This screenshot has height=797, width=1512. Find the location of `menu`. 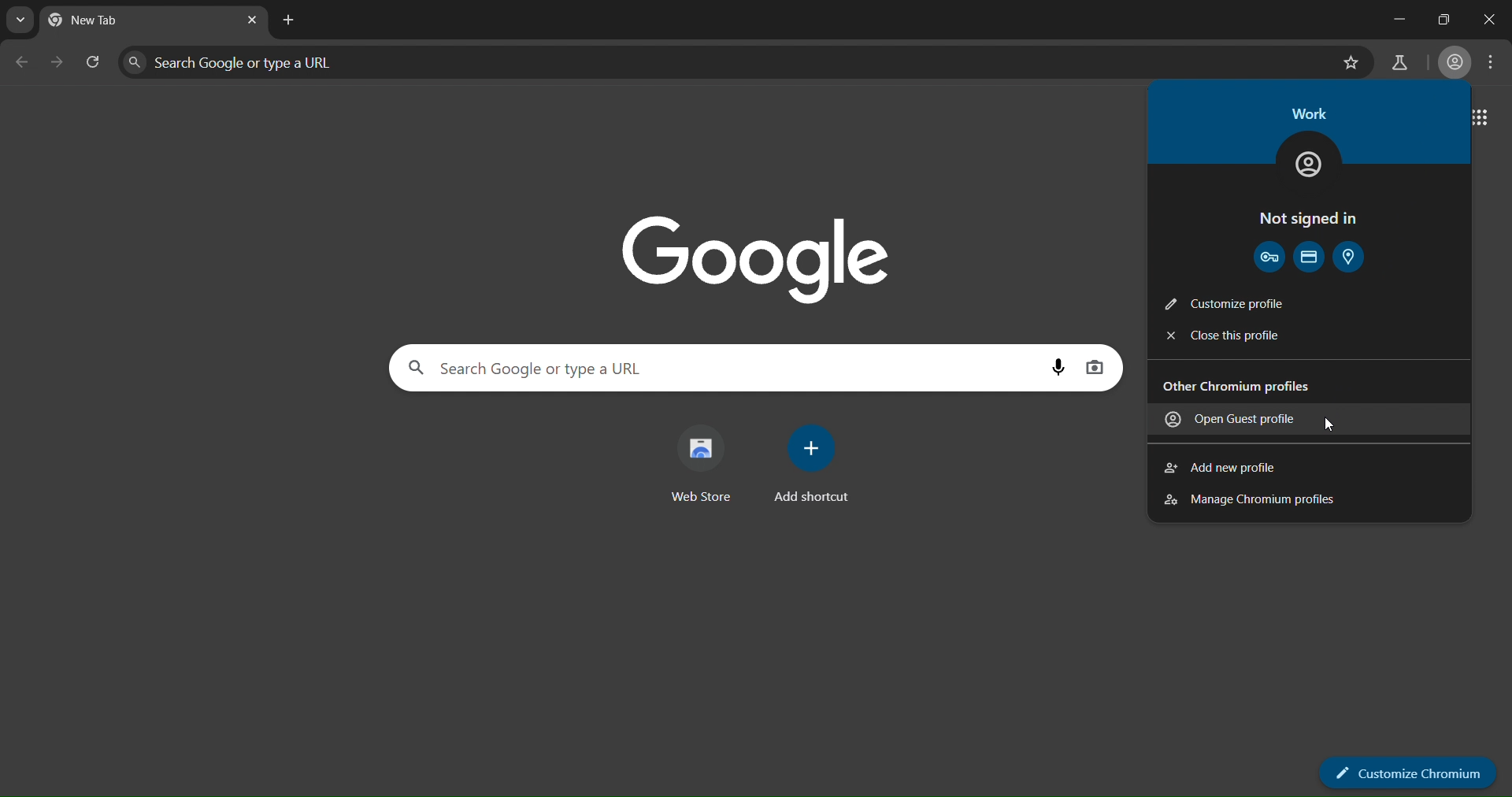

menu is located at coordinates (1490, 61).